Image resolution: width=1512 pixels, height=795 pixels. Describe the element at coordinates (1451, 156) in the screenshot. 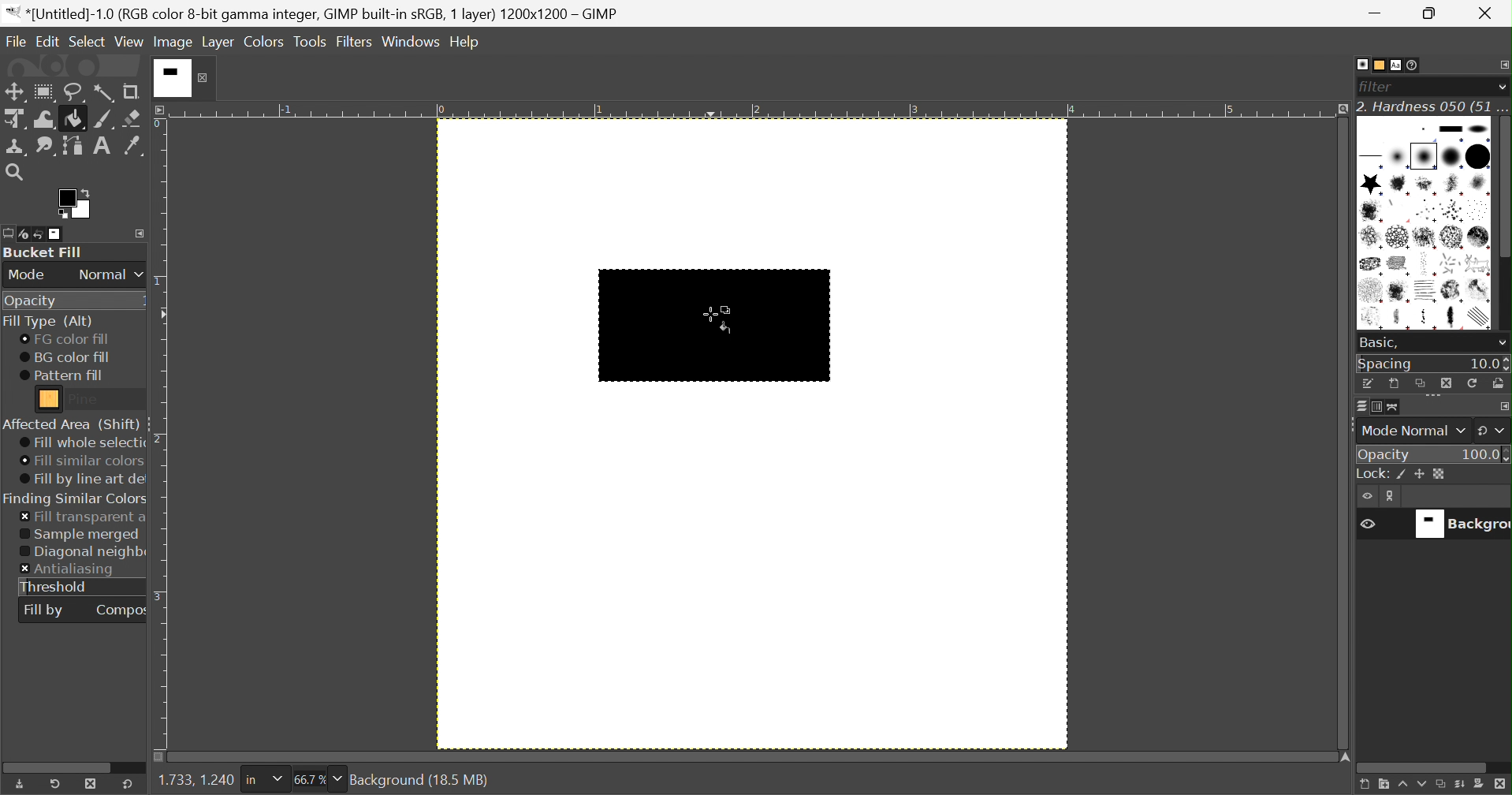

I see `Hardness 050` at that location.